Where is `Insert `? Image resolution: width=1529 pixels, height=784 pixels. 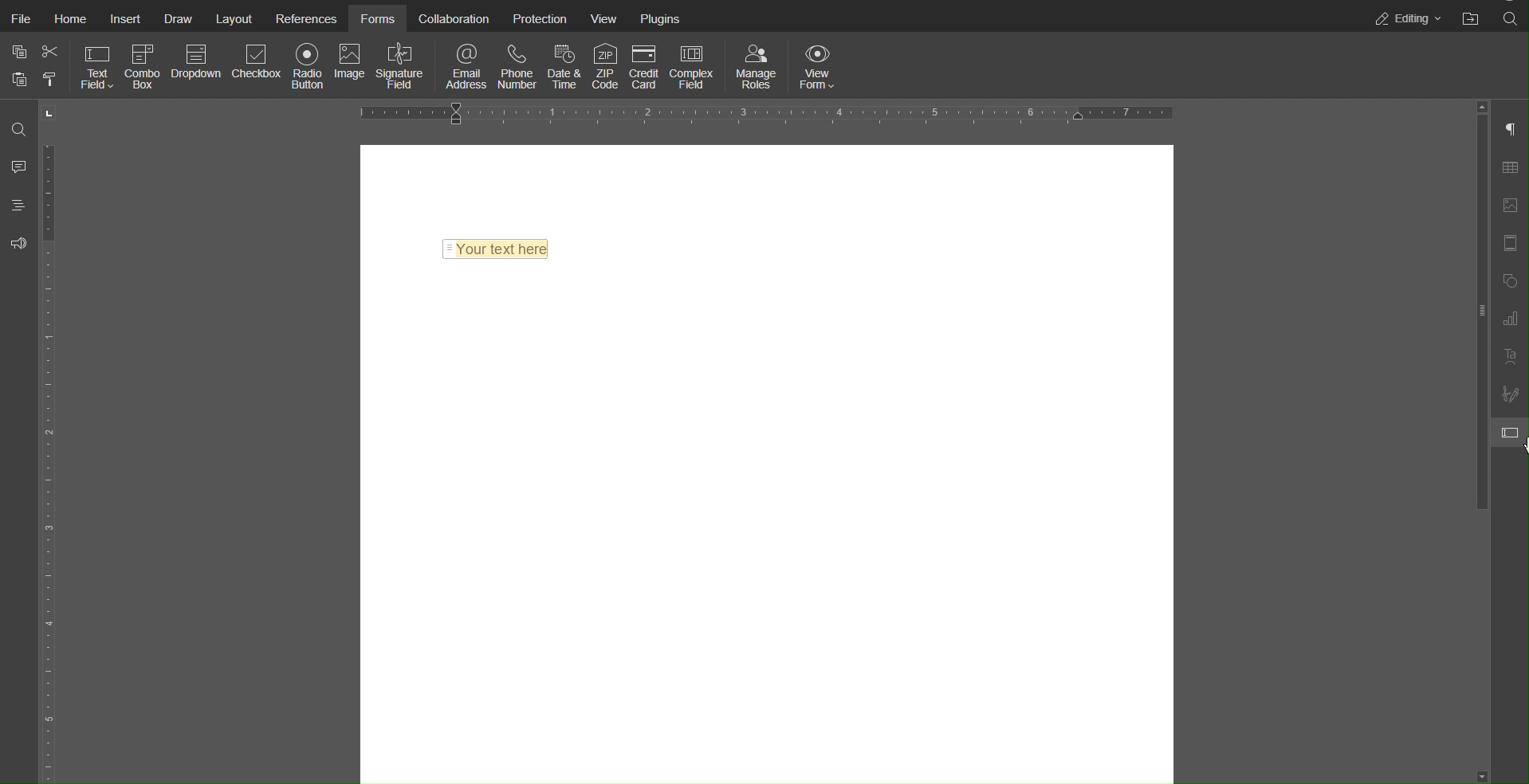 Insert  is located at coordinates (125, 20).